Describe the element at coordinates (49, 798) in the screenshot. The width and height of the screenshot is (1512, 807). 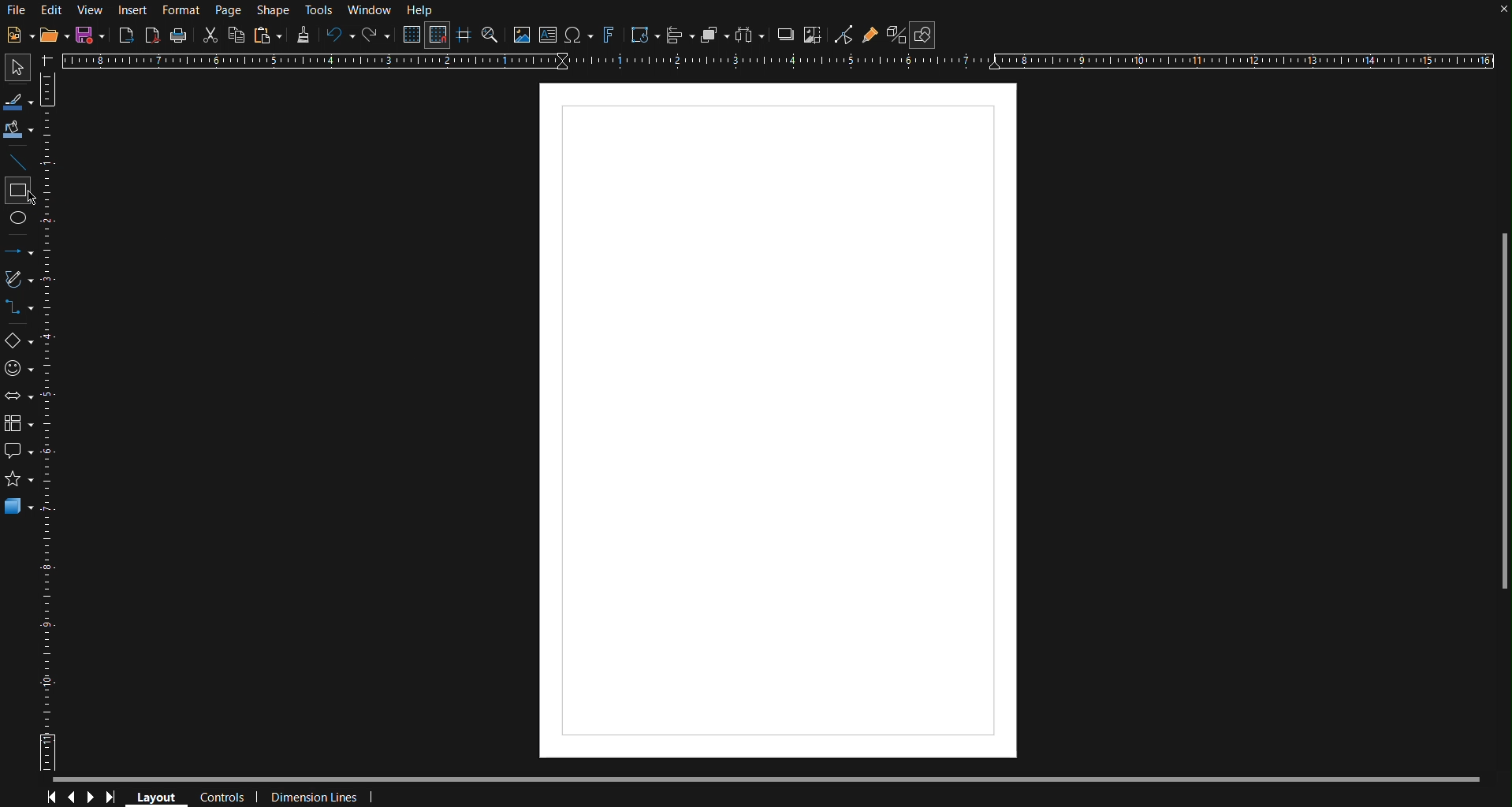
I see `First Page` at that location.